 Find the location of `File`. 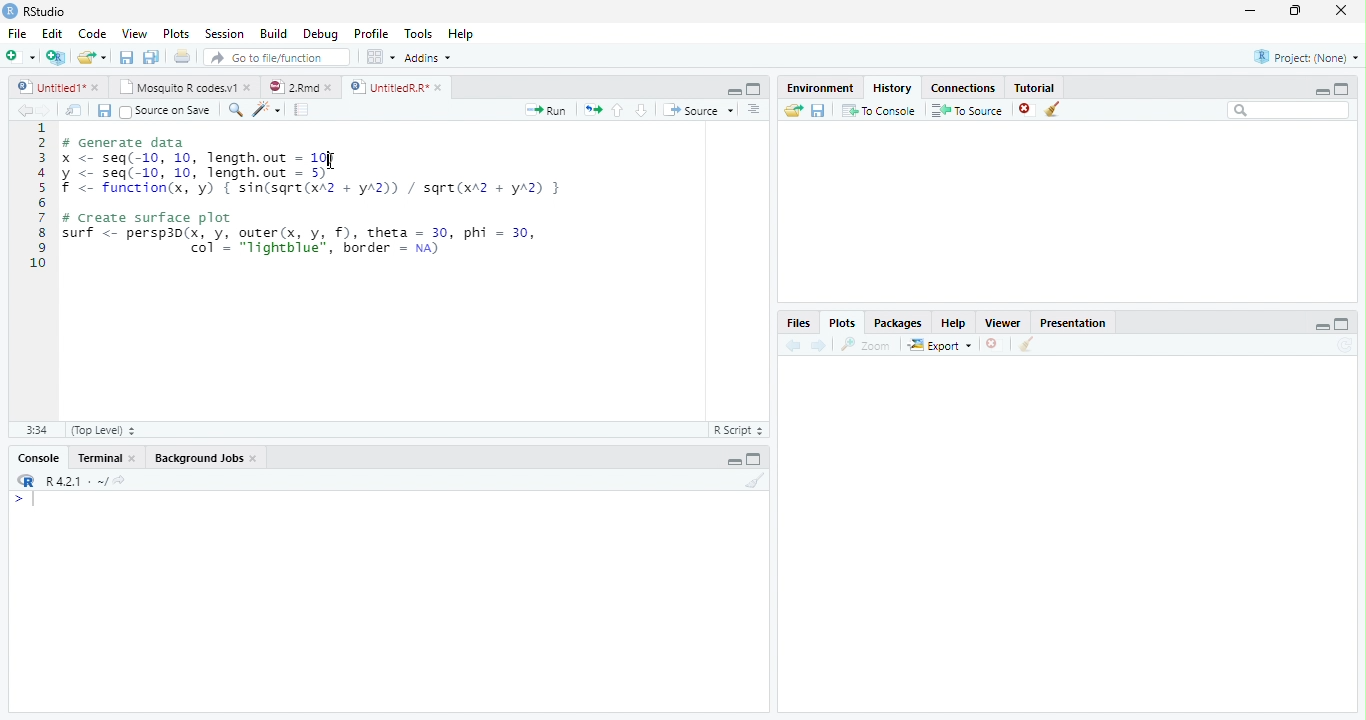

File is located at coordinates (17, 33).